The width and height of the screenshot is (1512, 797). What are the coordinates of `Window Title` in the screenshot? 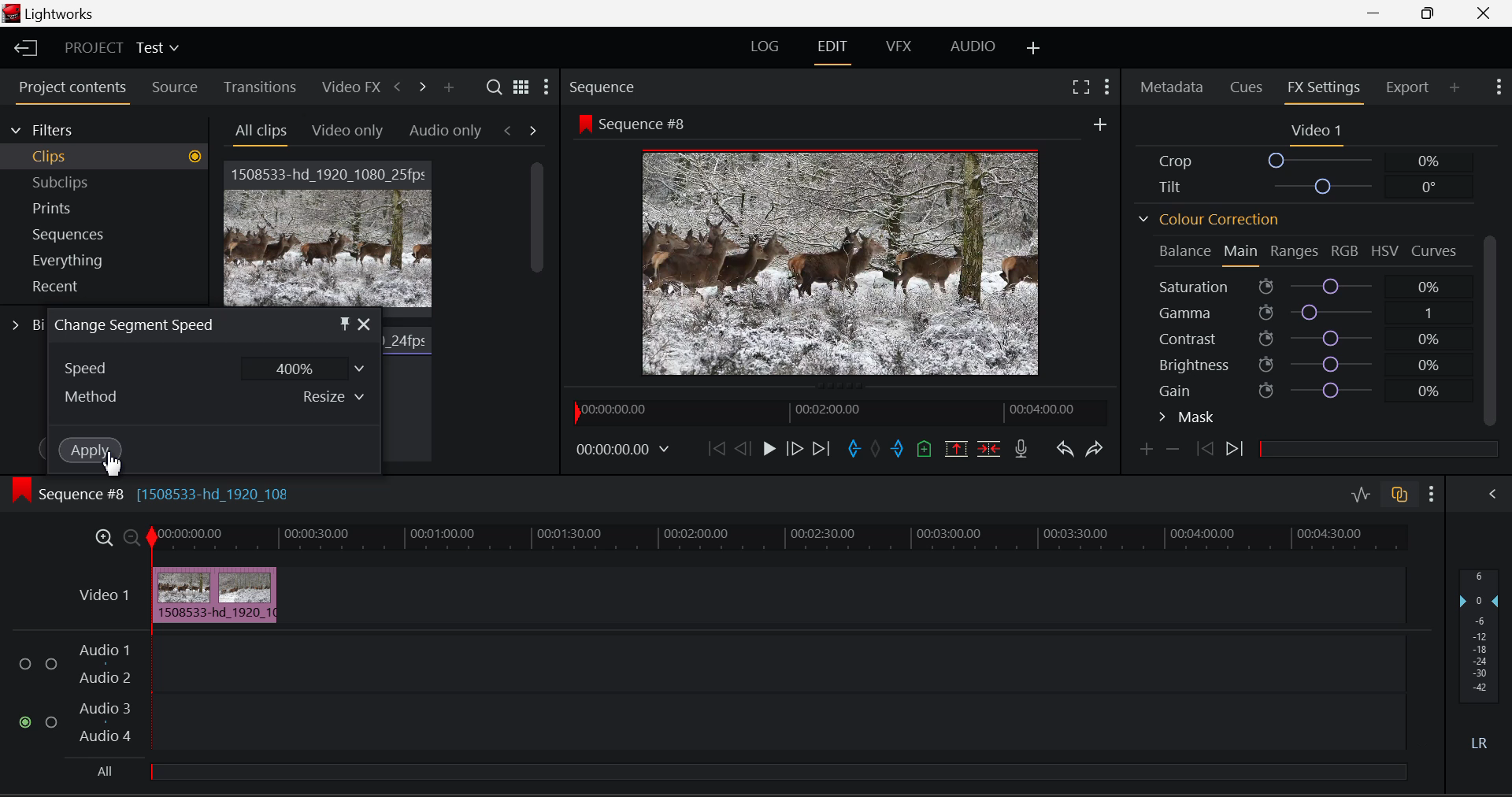 It's located at (53, 14).